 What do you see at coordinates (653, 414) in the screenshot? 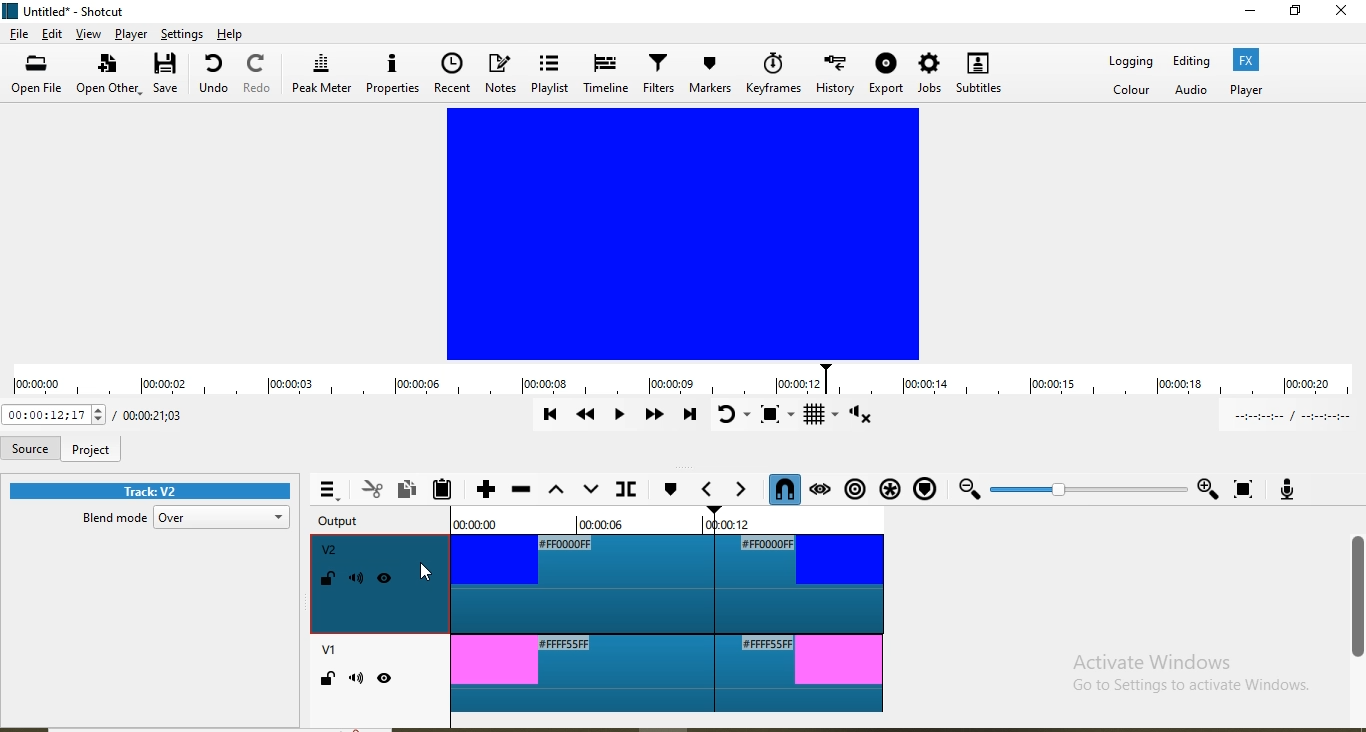
I see `Play quickly forward` at bounding box center [653, 414].